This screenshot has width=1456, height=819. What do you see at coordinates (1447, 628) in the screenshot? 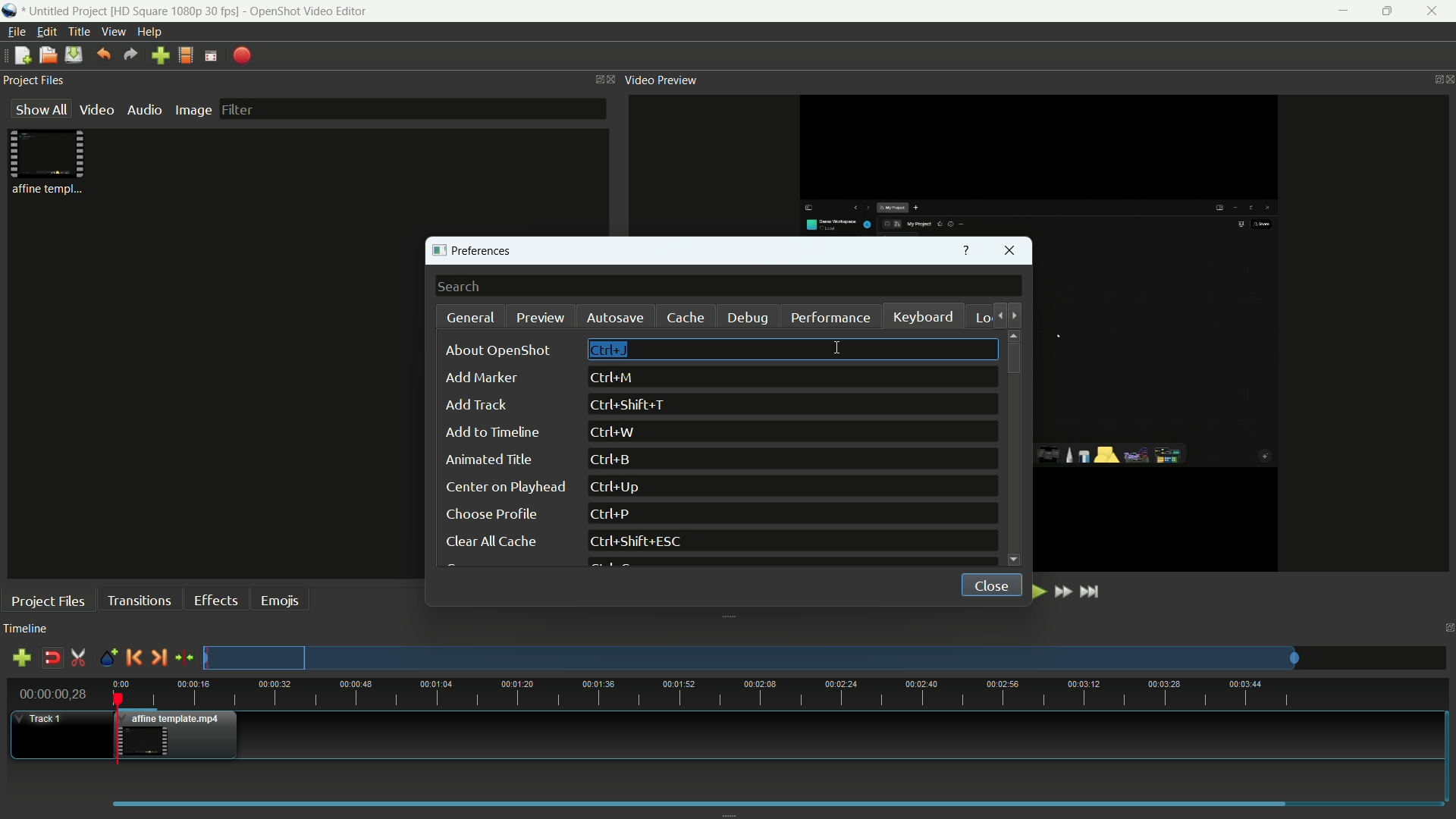
I see `close timeline` at bounding box center [1447, 628].